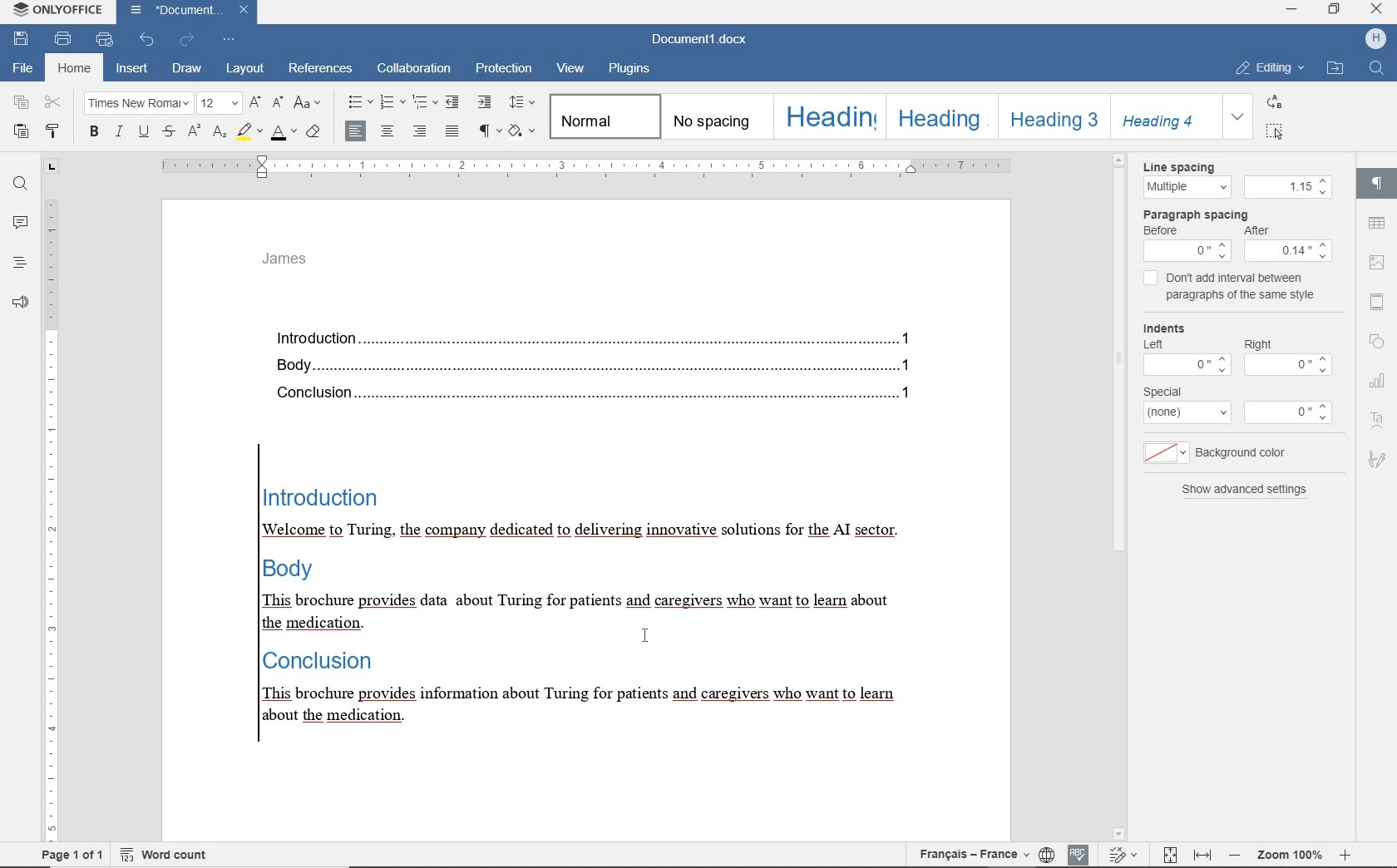 This screenshot has height=868, width=1397. Describe the element at coordinates (713, 117) in the screenshot. I see `no spacing` at that location.